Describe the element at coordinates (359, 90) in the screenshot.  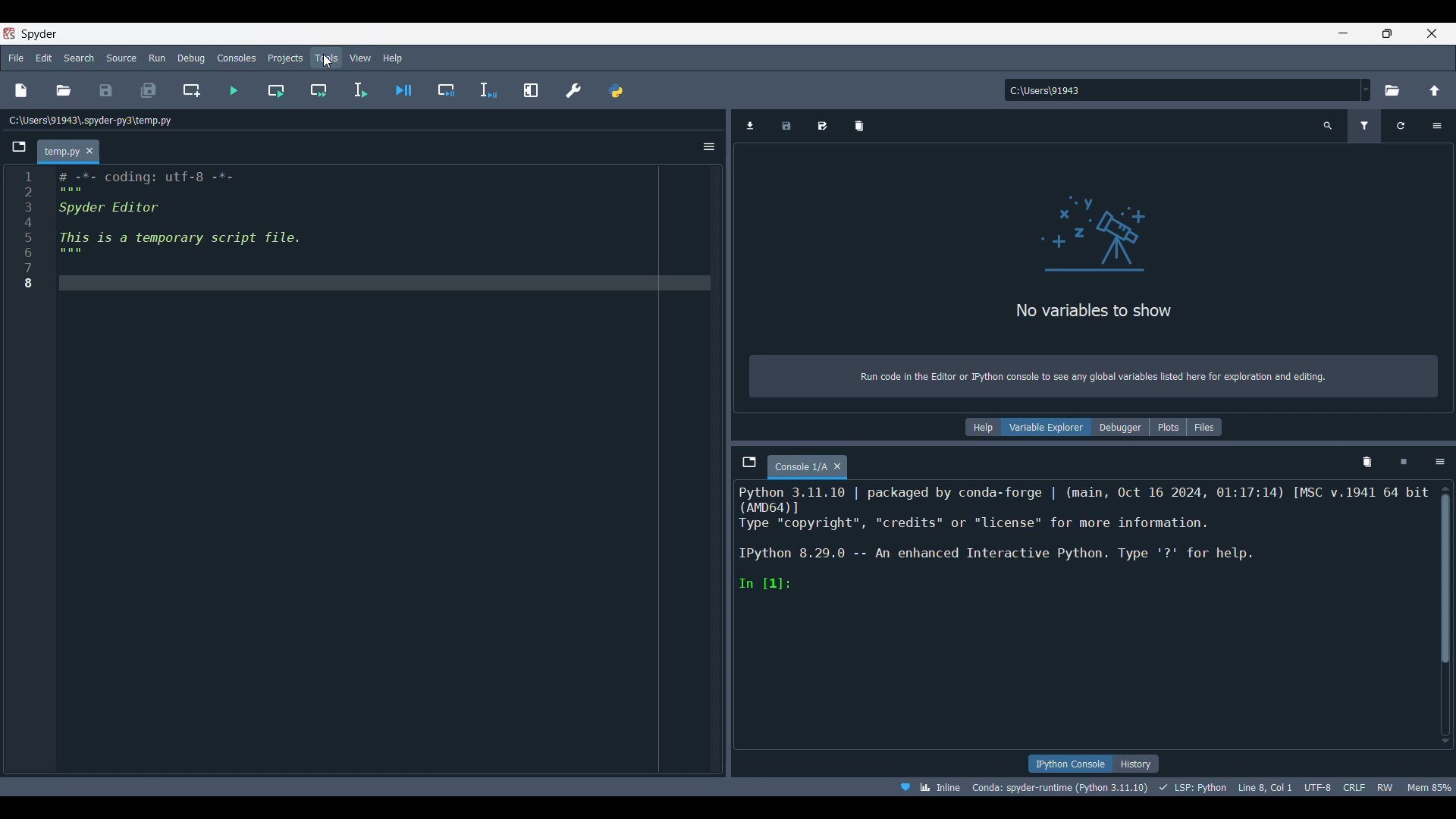
I see `Run selection or current line` at that location.